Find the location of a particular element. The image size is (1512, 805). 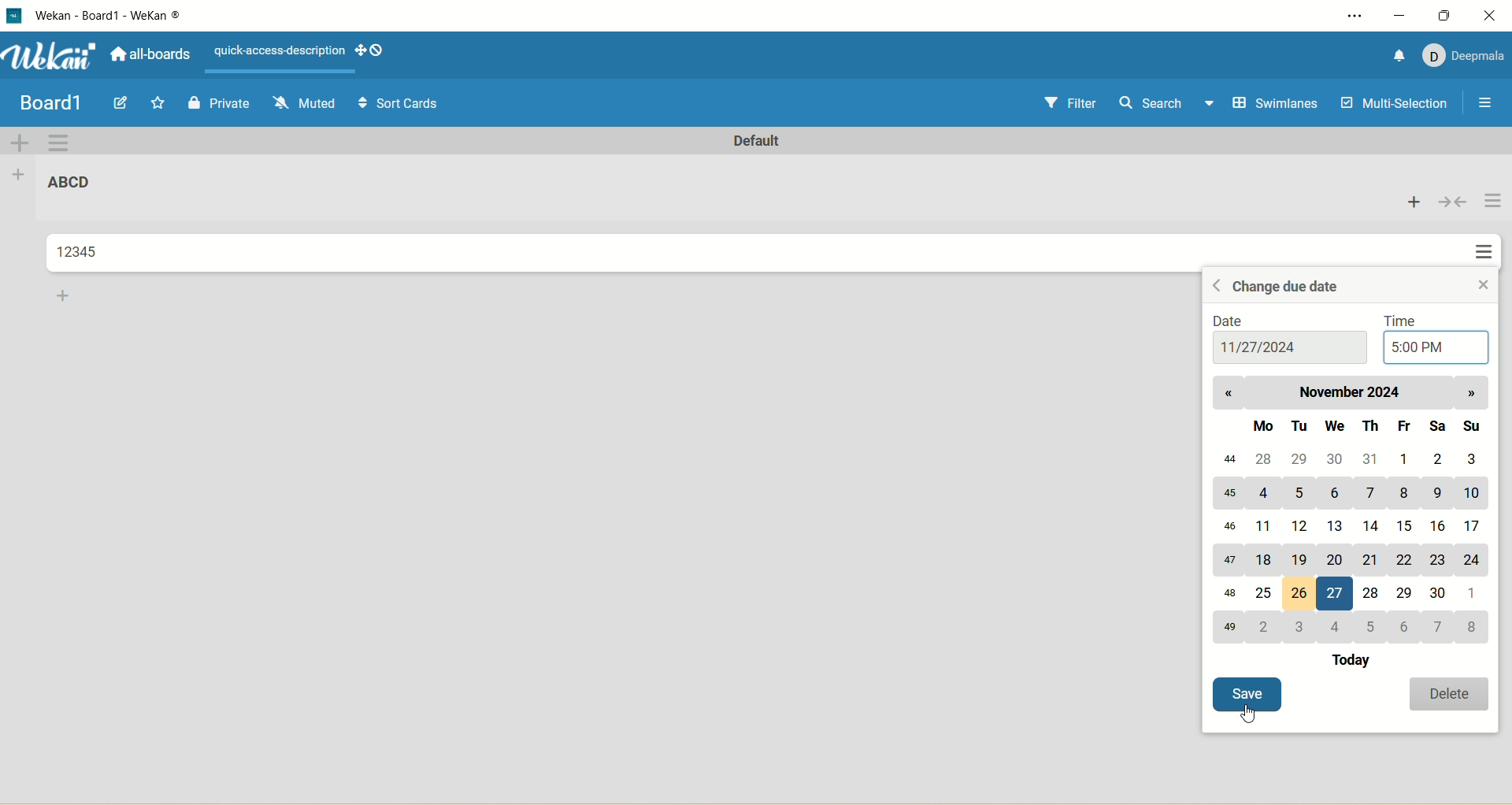

settings and more is located at coordinates (1346, 16).